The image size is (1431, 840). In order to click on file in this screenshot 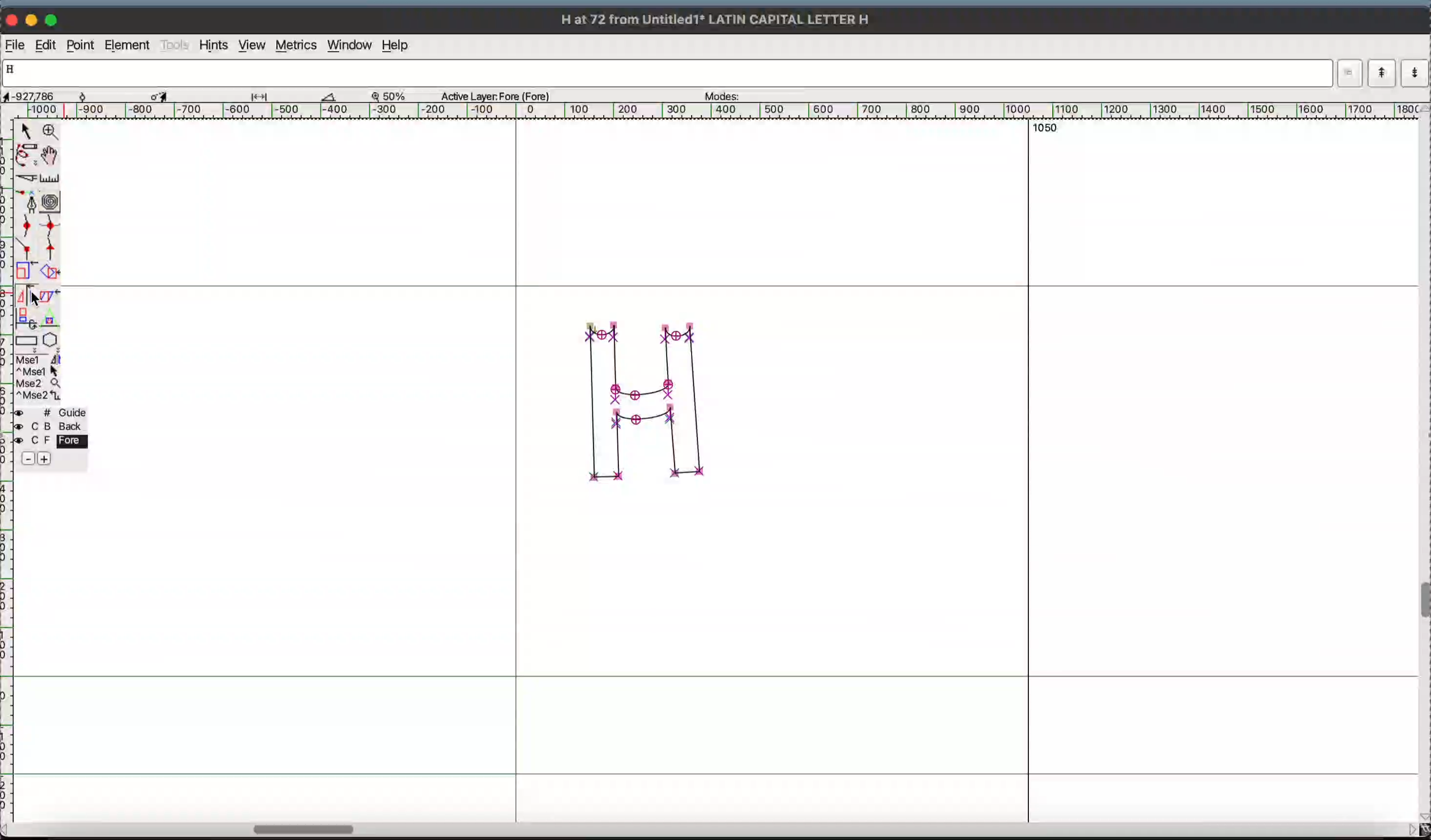, I will do `click(15, 45)`.